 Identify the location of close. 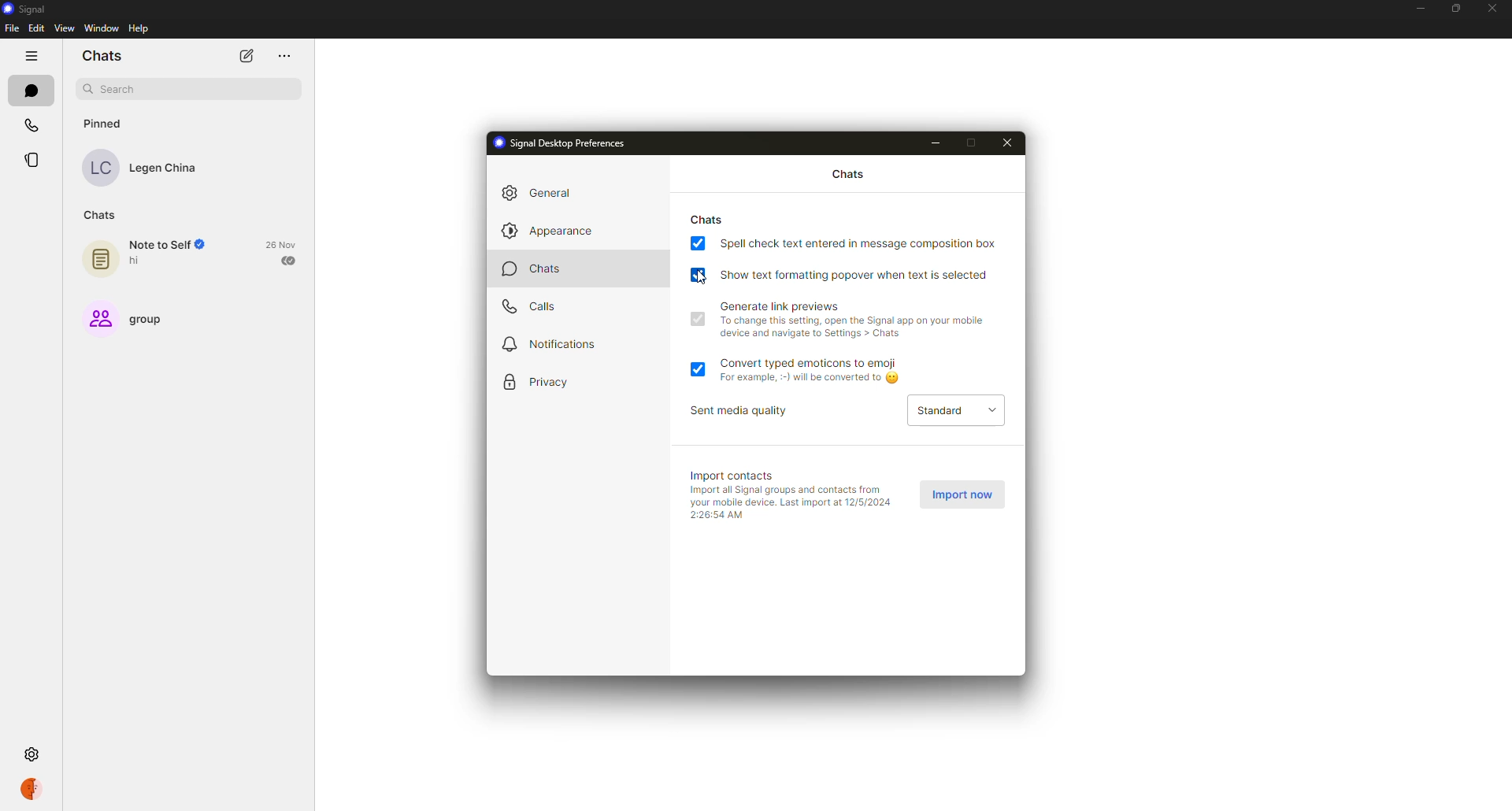
(1011, 142).